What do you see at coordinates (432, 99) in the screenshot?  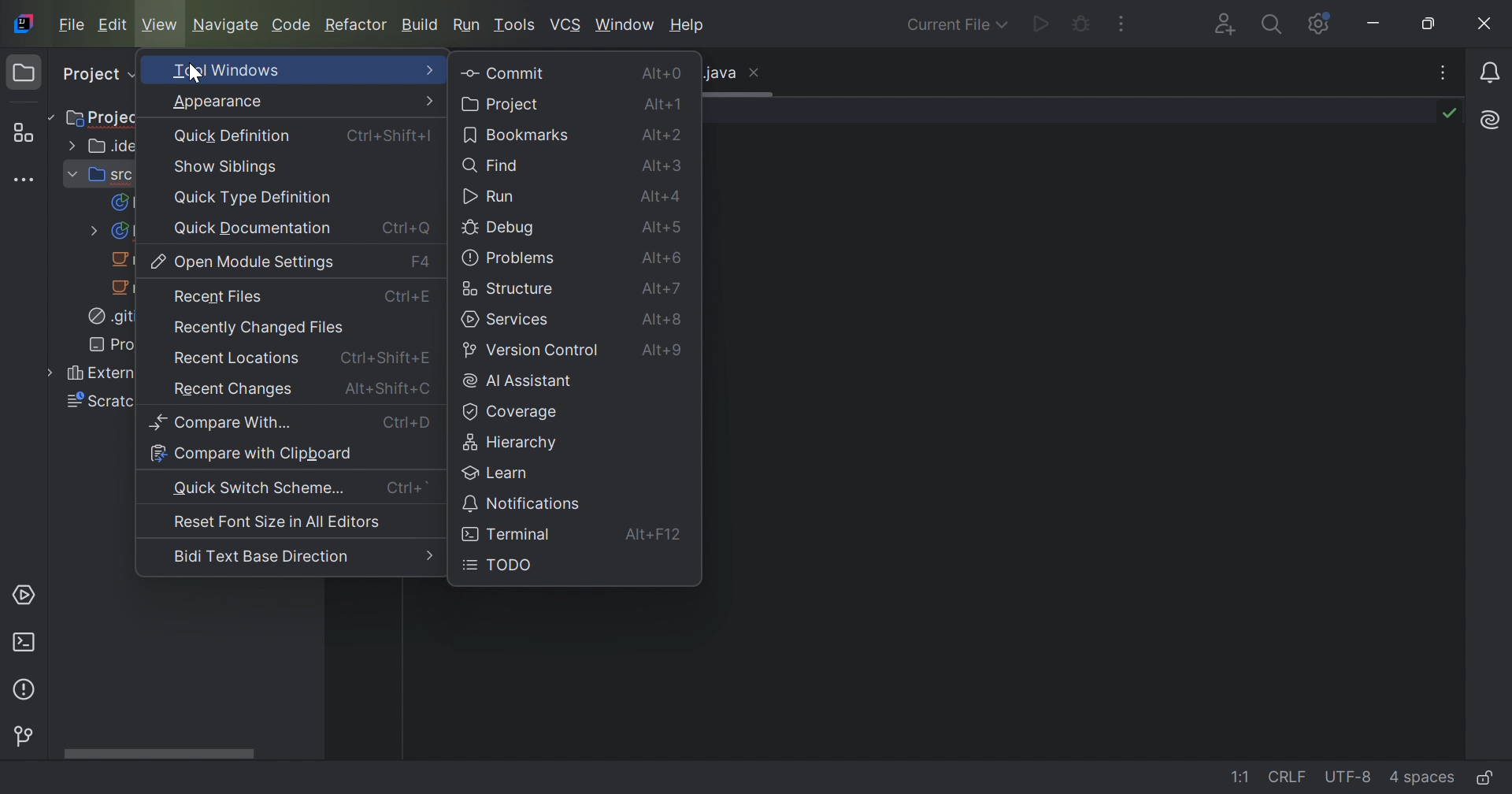 I see `More` at bounding box center [432, 99].